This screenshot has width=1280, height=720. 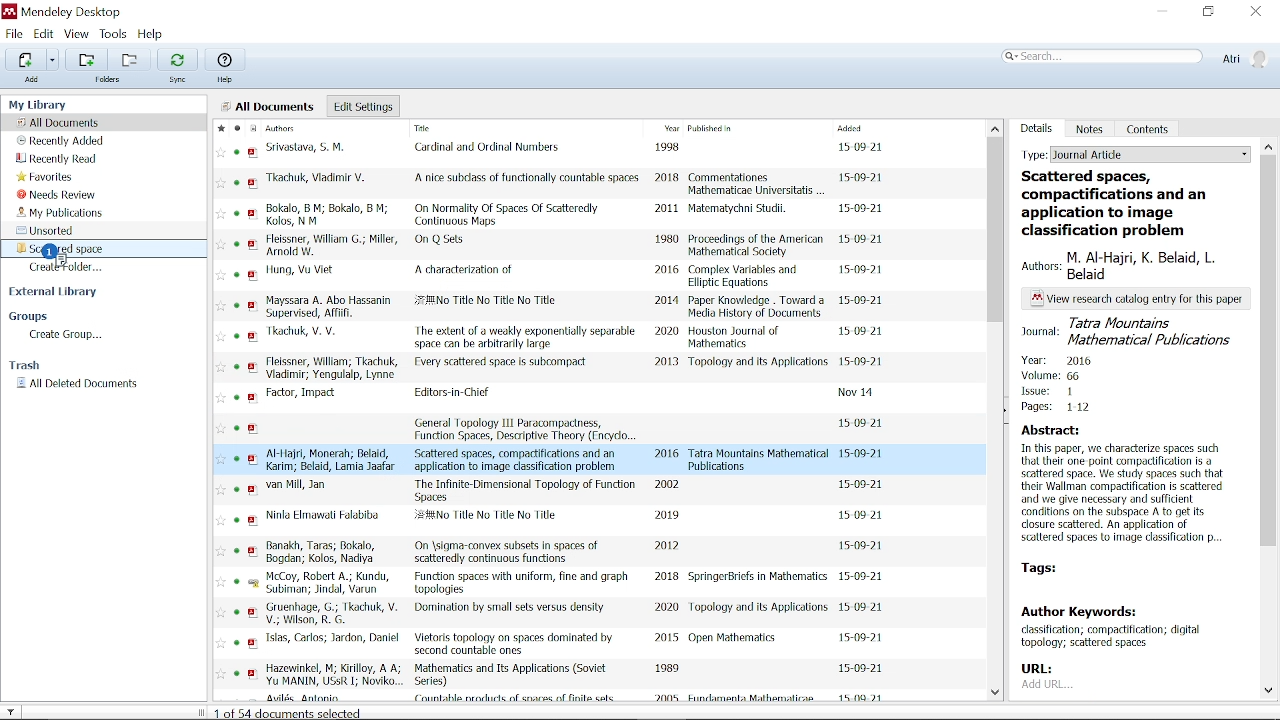 What do you see at coordinates (760, 460) in the screenshot?
I see `Tatra Mountains Mathematical
Publications` at bounding box center [760, 460].